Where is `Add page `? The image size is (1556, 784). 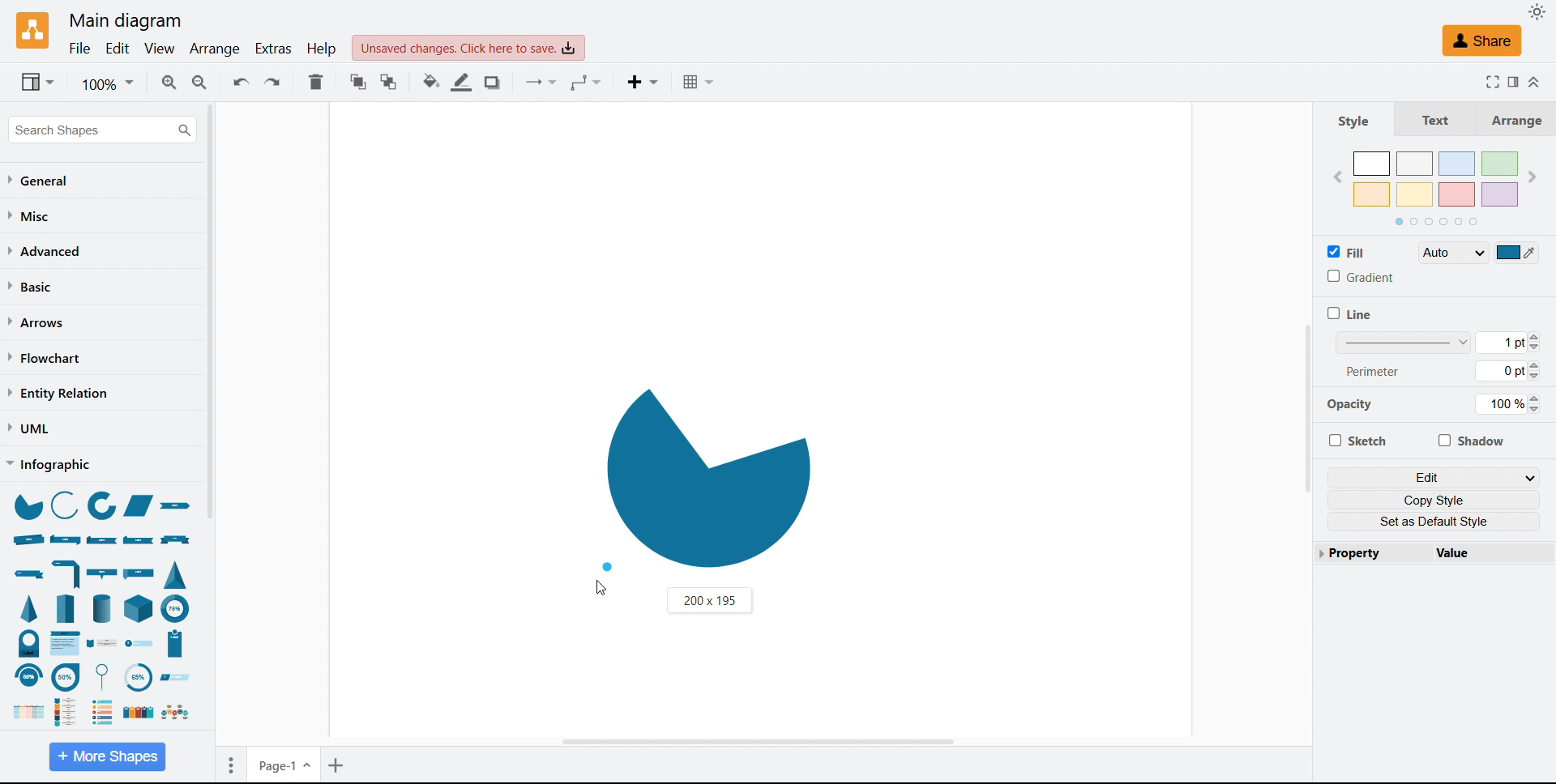
Add page  is located at coordinates (338, 765).